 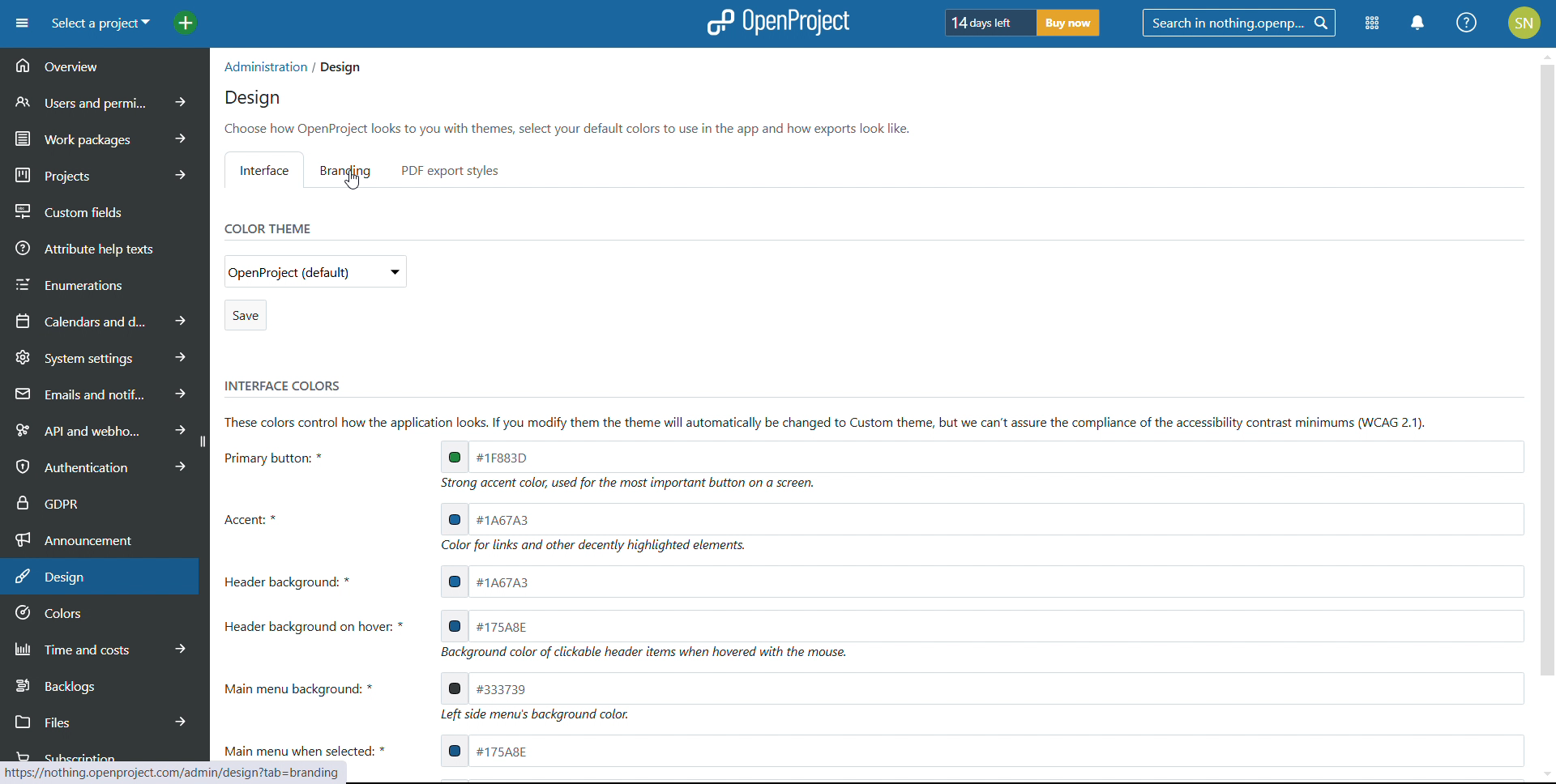 What do you see at coordinates (315, 271) in the screenshot?
I see `select color theme` at bounding box center [315, 271].